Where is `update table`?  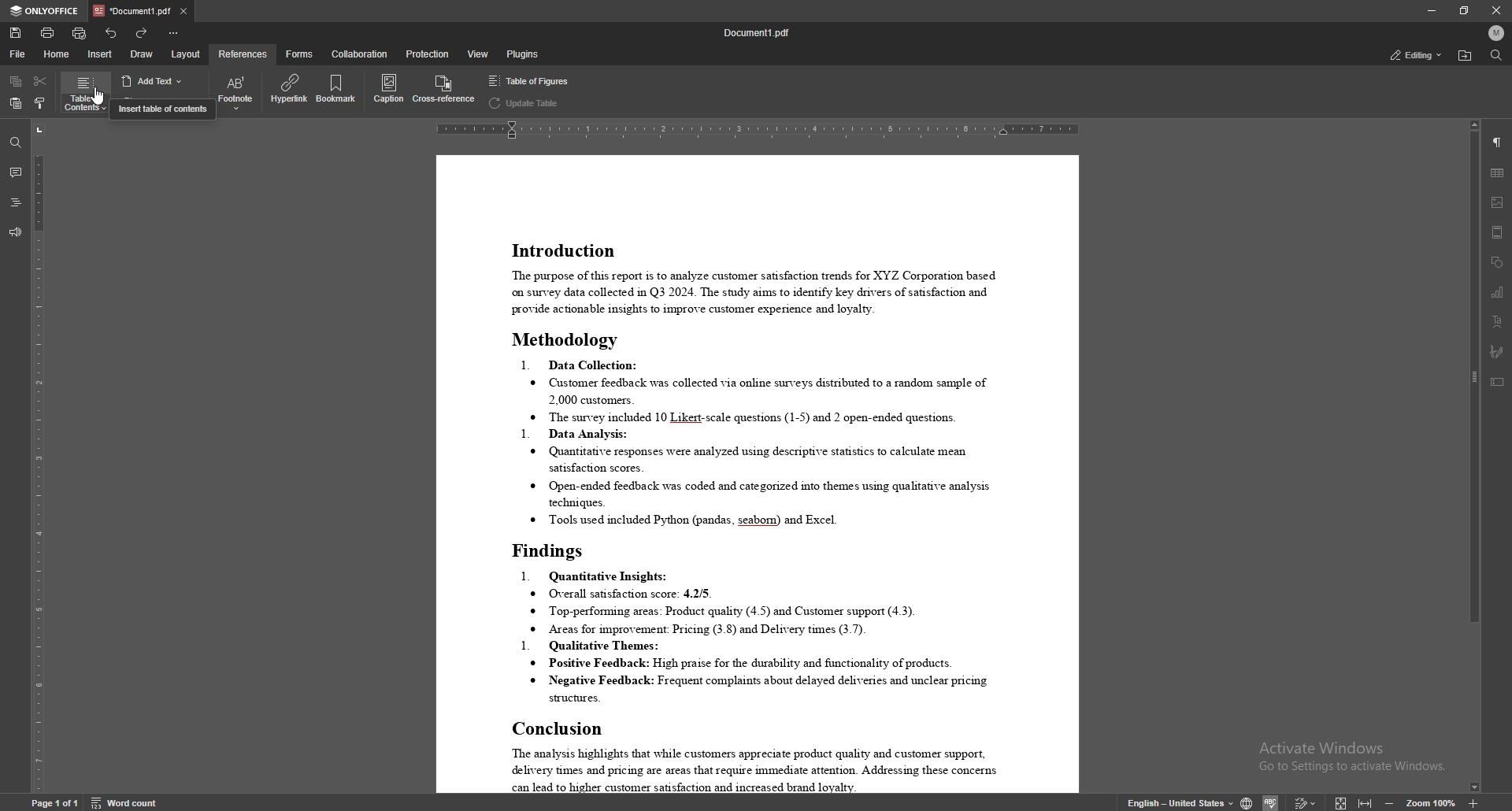 update table is located at coordinates (525, 102).